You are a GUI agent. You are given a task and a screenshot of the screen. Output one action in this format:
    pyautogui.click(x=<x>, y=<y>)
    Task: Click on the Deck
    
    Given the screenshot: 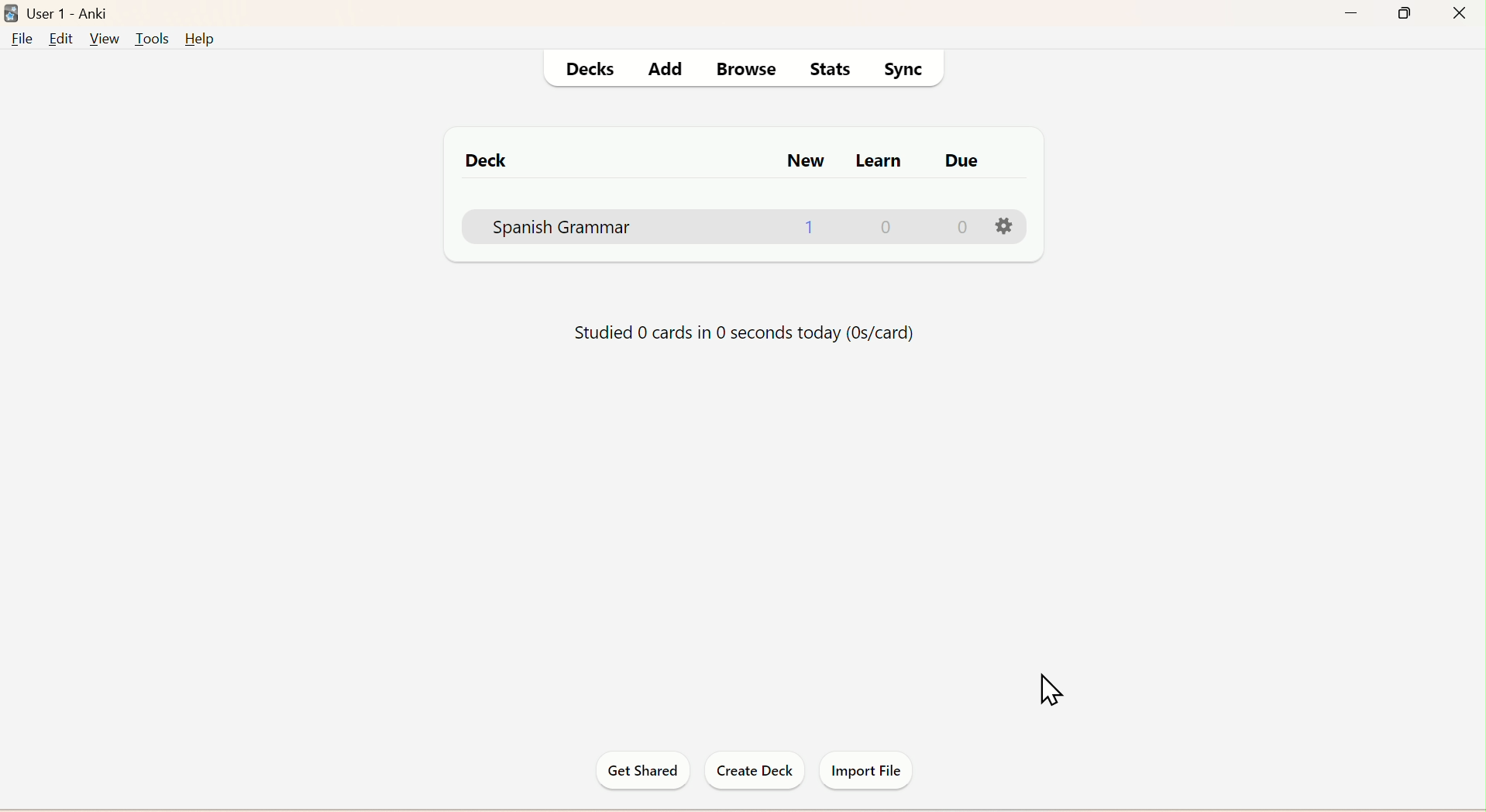 What is the action you would take?
    pyautogui.click(x=492, y=161)
    